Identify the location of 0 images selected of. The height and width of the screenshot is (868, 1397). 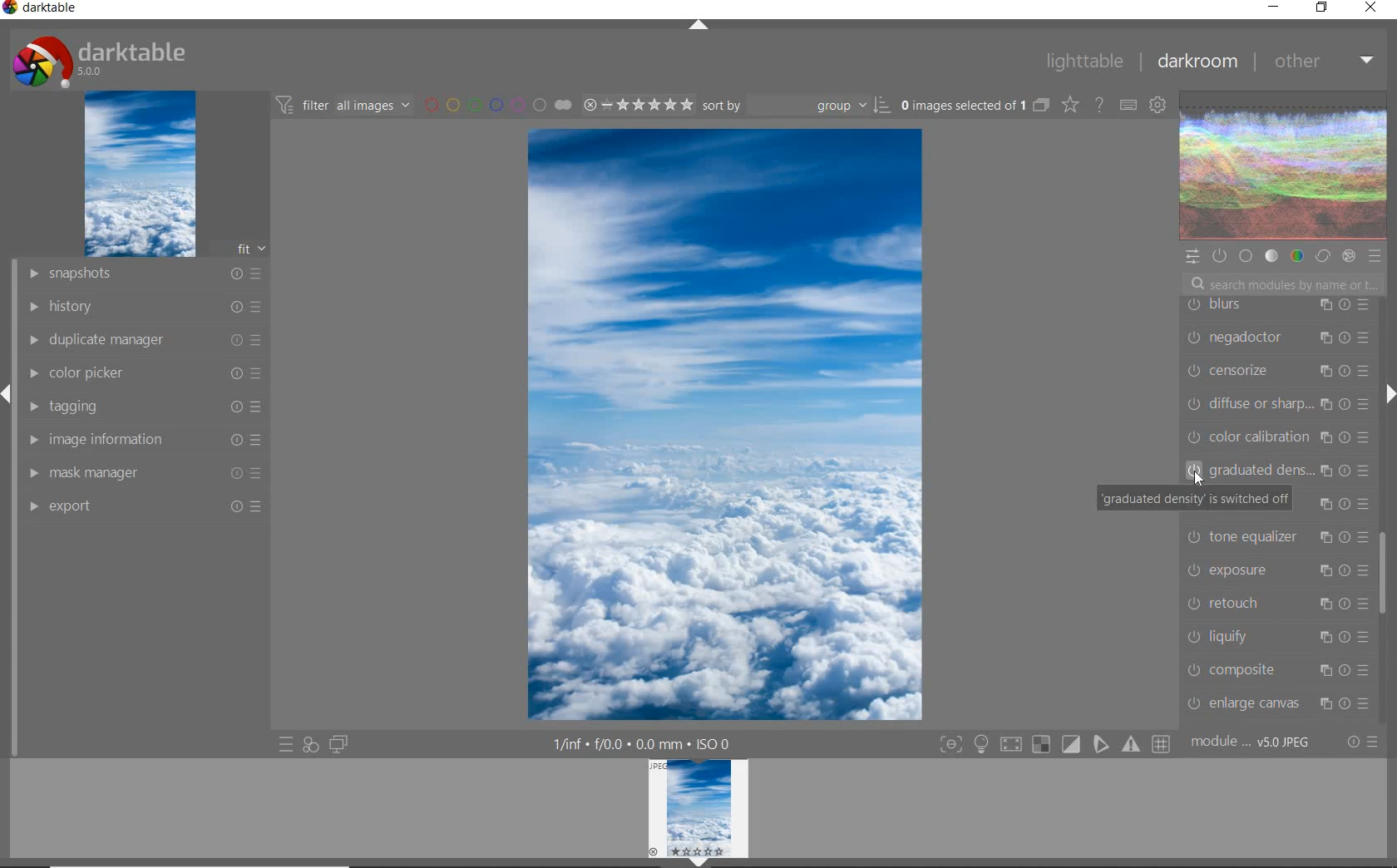
(961, 104).